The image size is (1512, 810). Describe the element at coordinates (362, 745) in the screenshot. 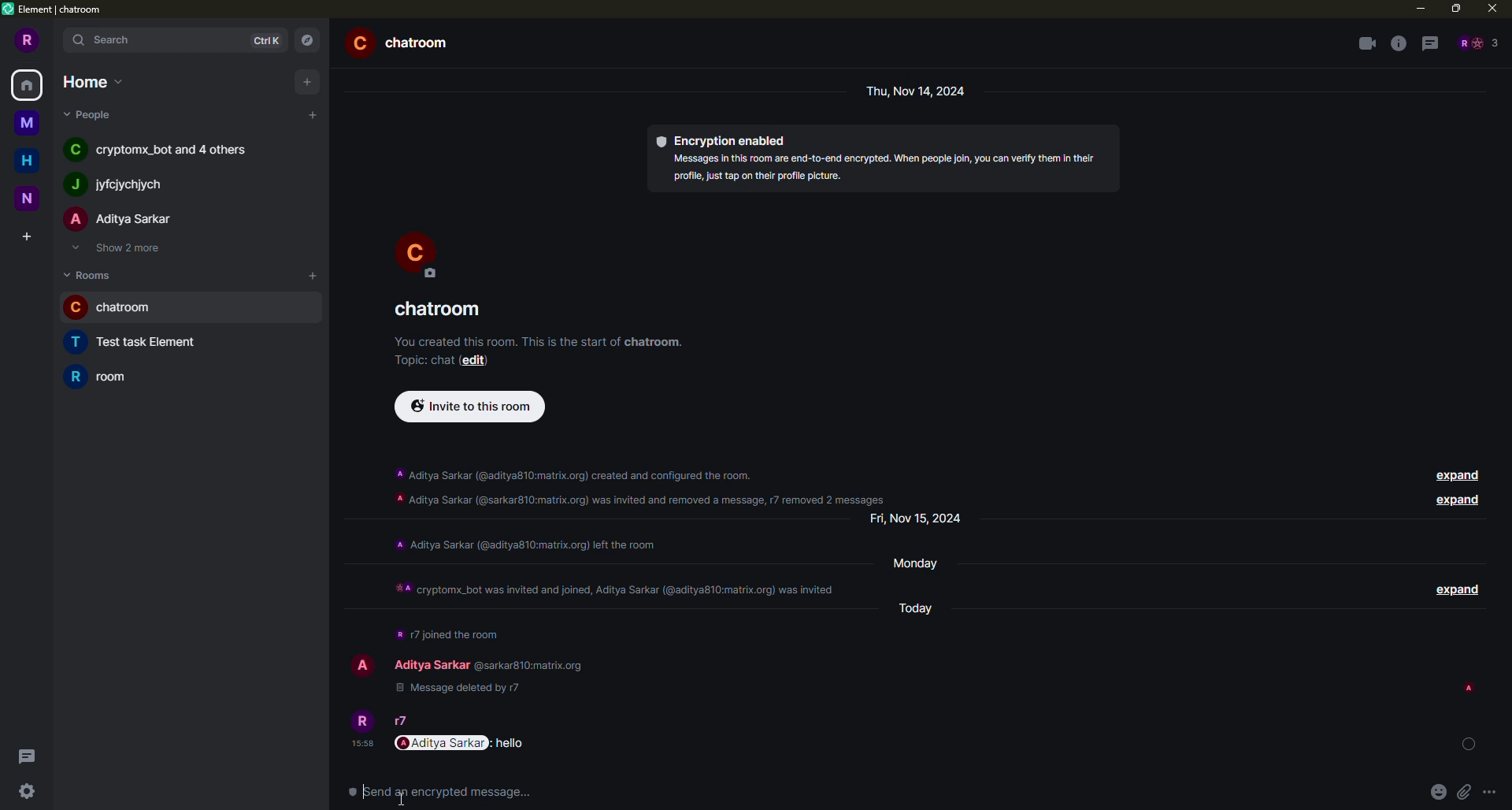

I see `time` at that location.